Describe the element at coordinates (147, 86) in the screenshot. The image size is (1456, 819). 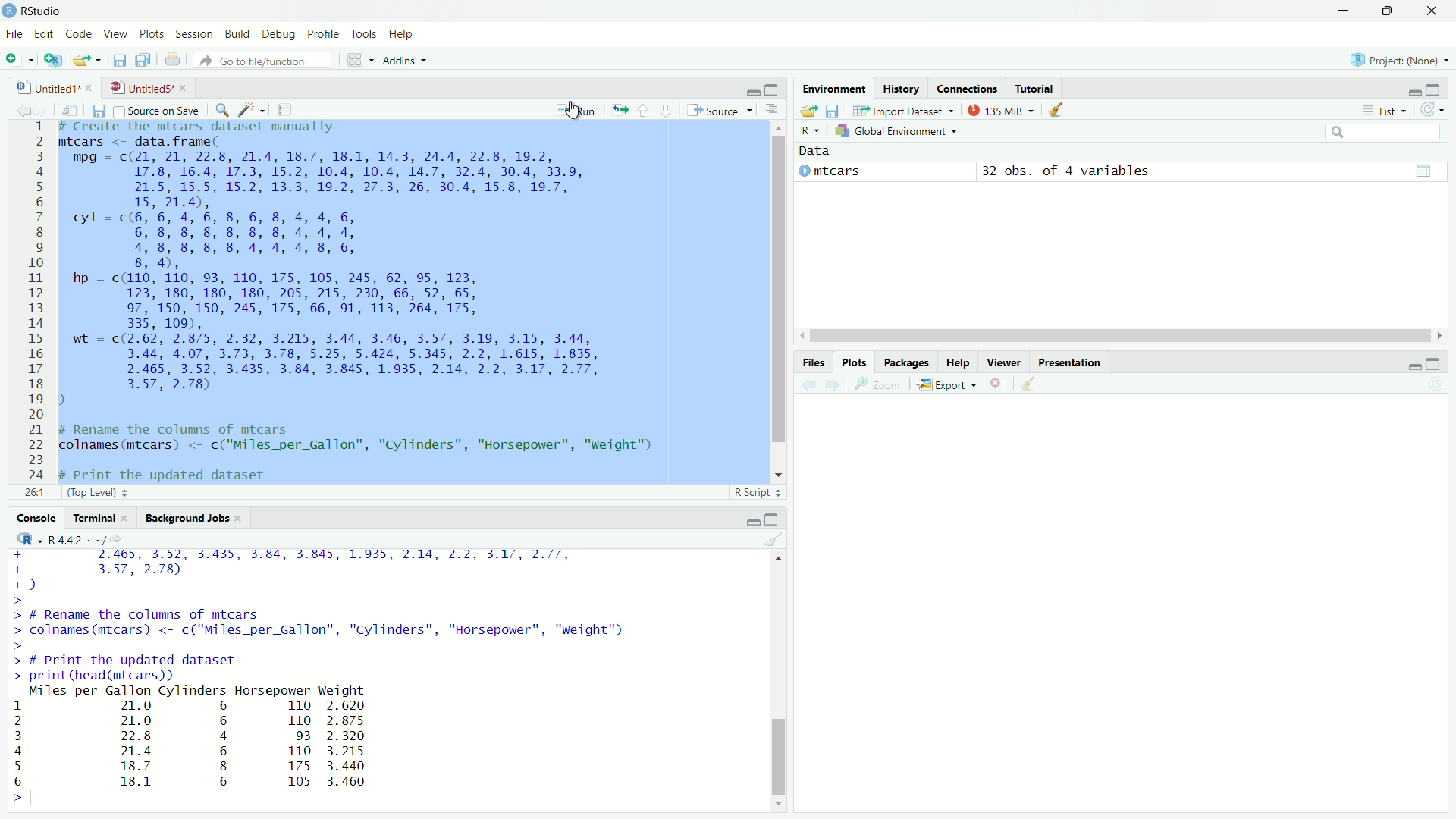
I see `| Untitled5* »` at that location.